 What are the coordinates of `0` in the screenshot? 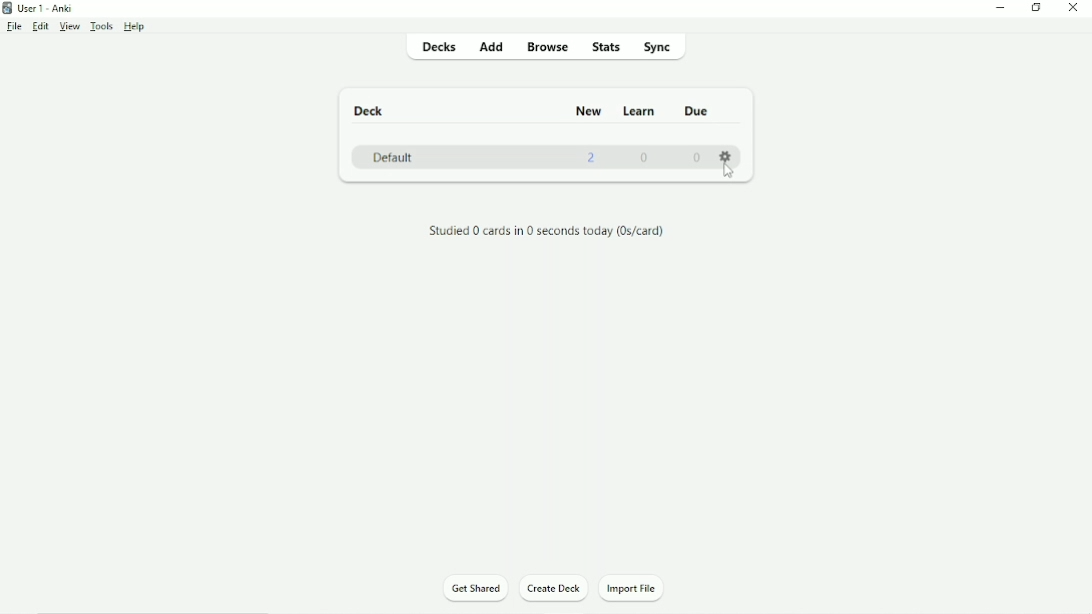 It's located at (696, 158).